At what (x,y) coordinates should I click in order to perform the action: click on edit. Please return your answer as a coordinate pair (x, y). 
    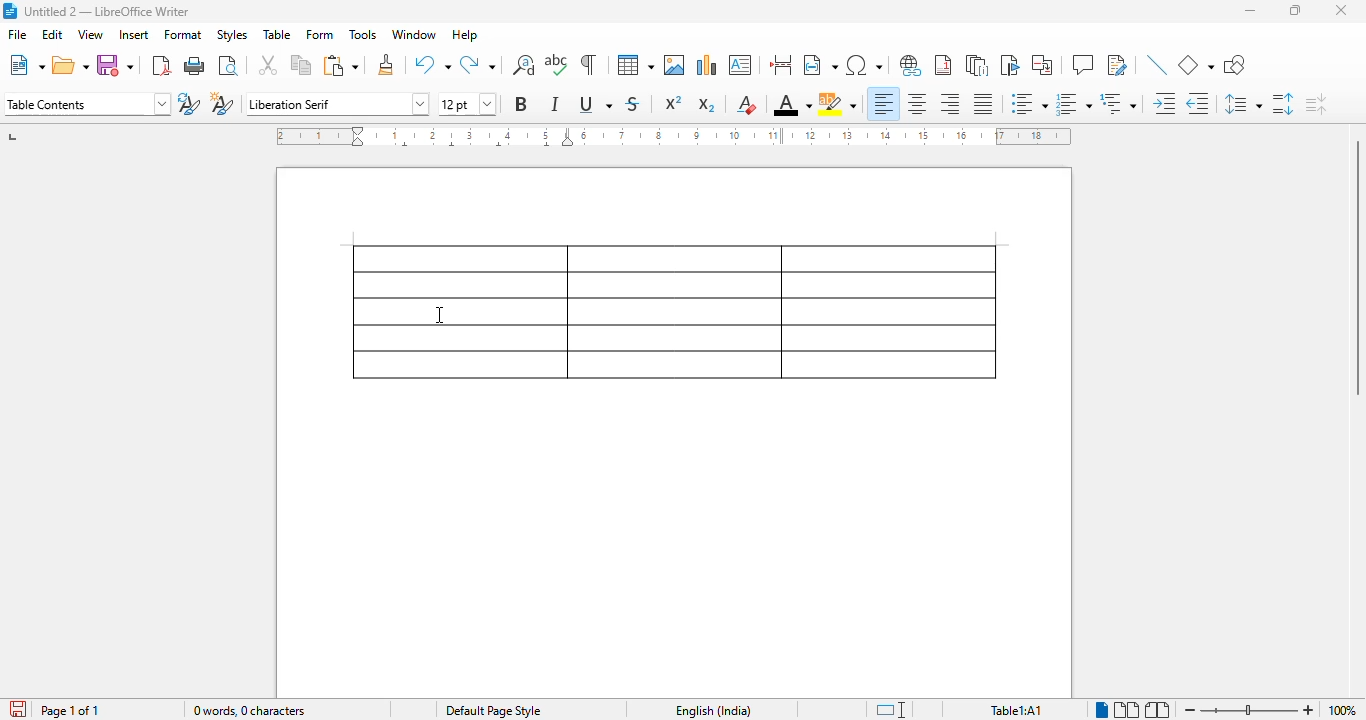
    Looking at the image, I should click on (53, 34).